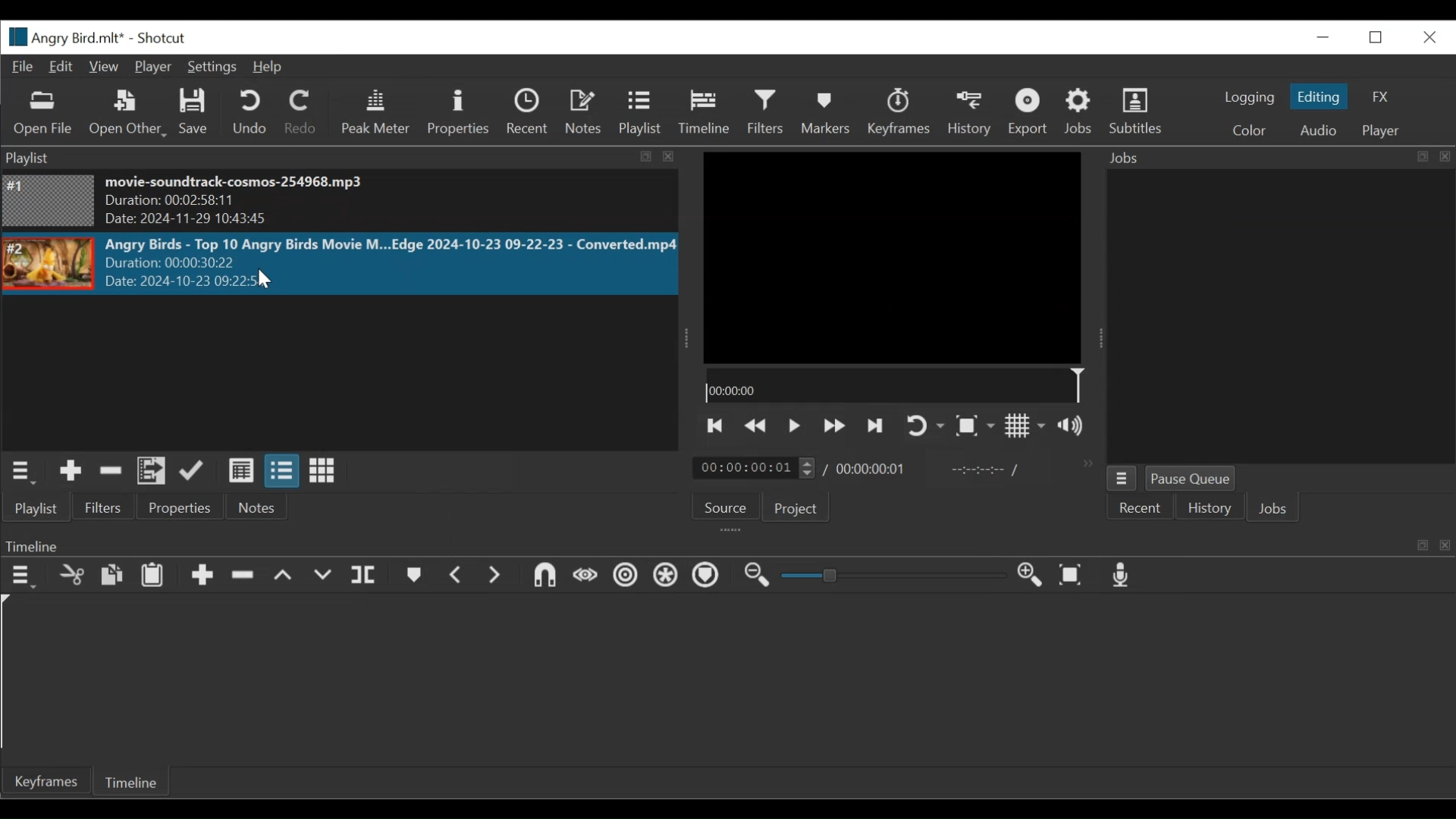 Image resolution: width=1456 pixels, height=819 pixels. What do you see at coordinates (877, 426) in the screenshot?
I see `Skip to the next point` at bounding box center [877, 426].